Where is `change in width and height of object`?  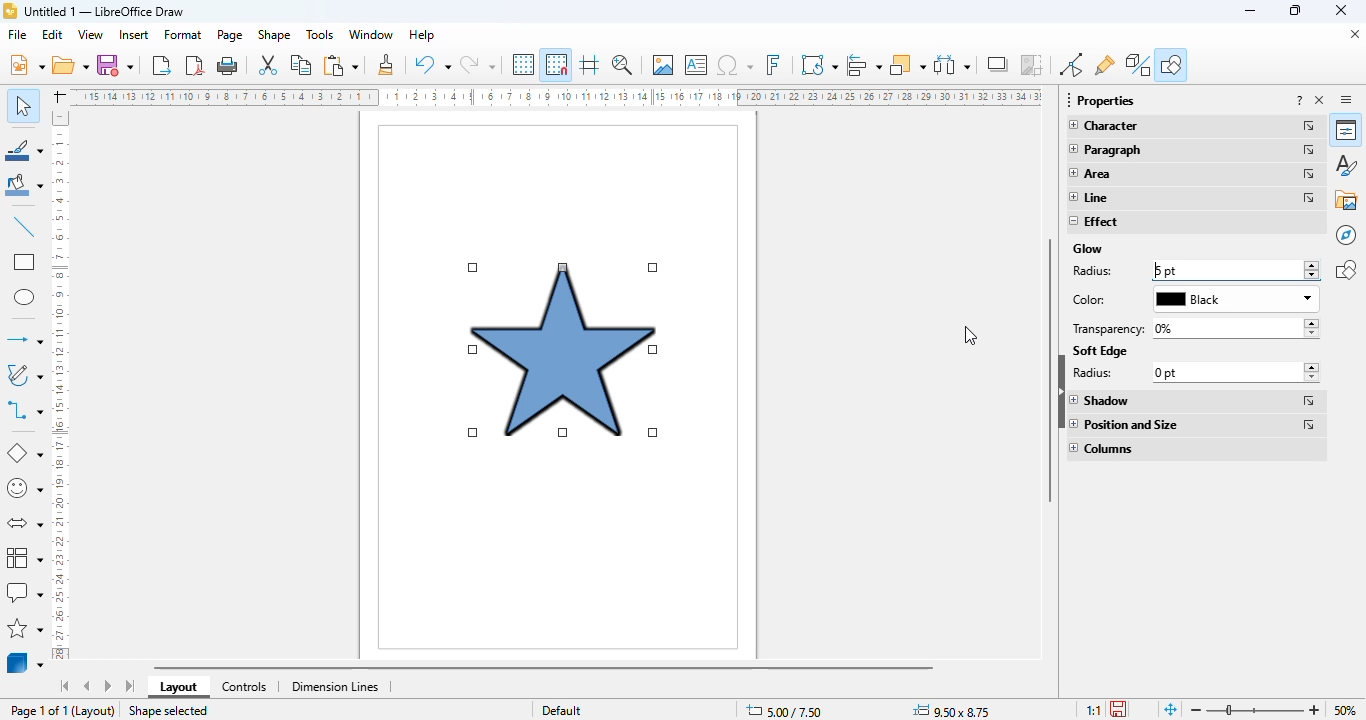
change in width and height of object is located at coordinates (952, 711).